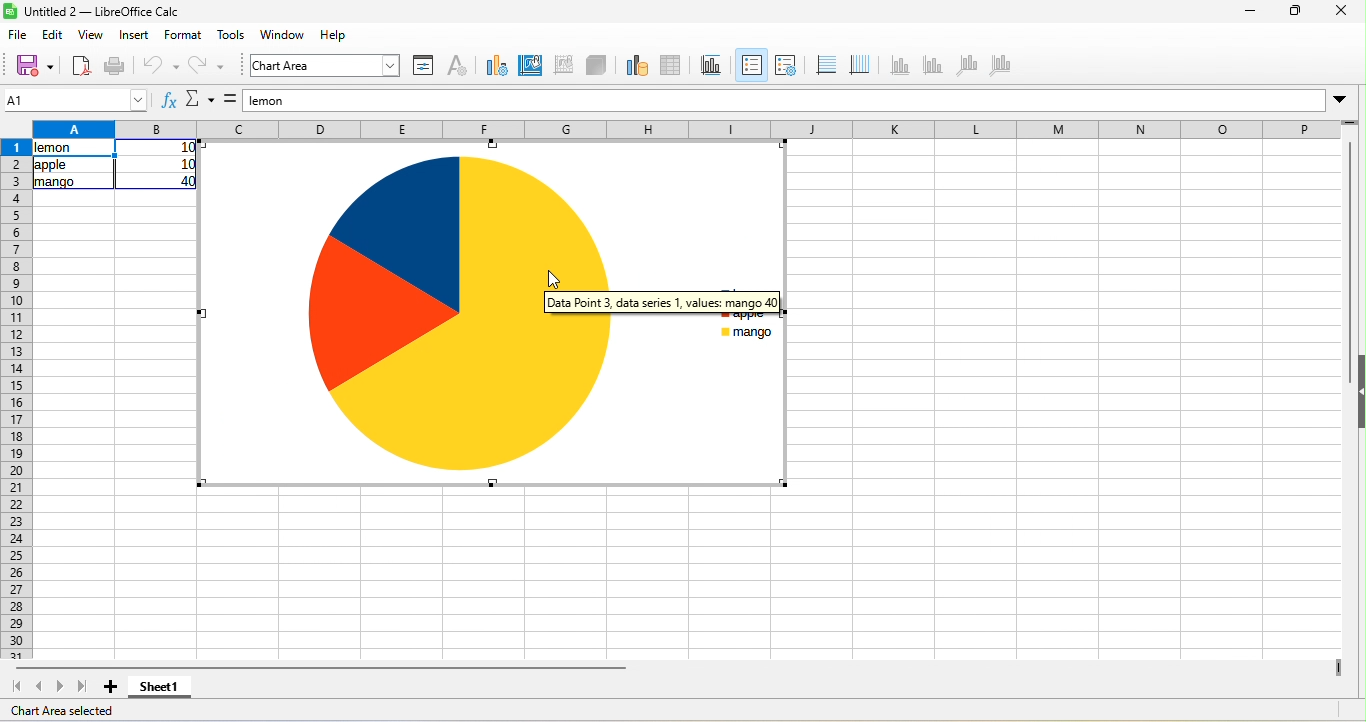  Describe the element at coordinates (782, 101) in the screenshot. I see `formula bar` at that location.